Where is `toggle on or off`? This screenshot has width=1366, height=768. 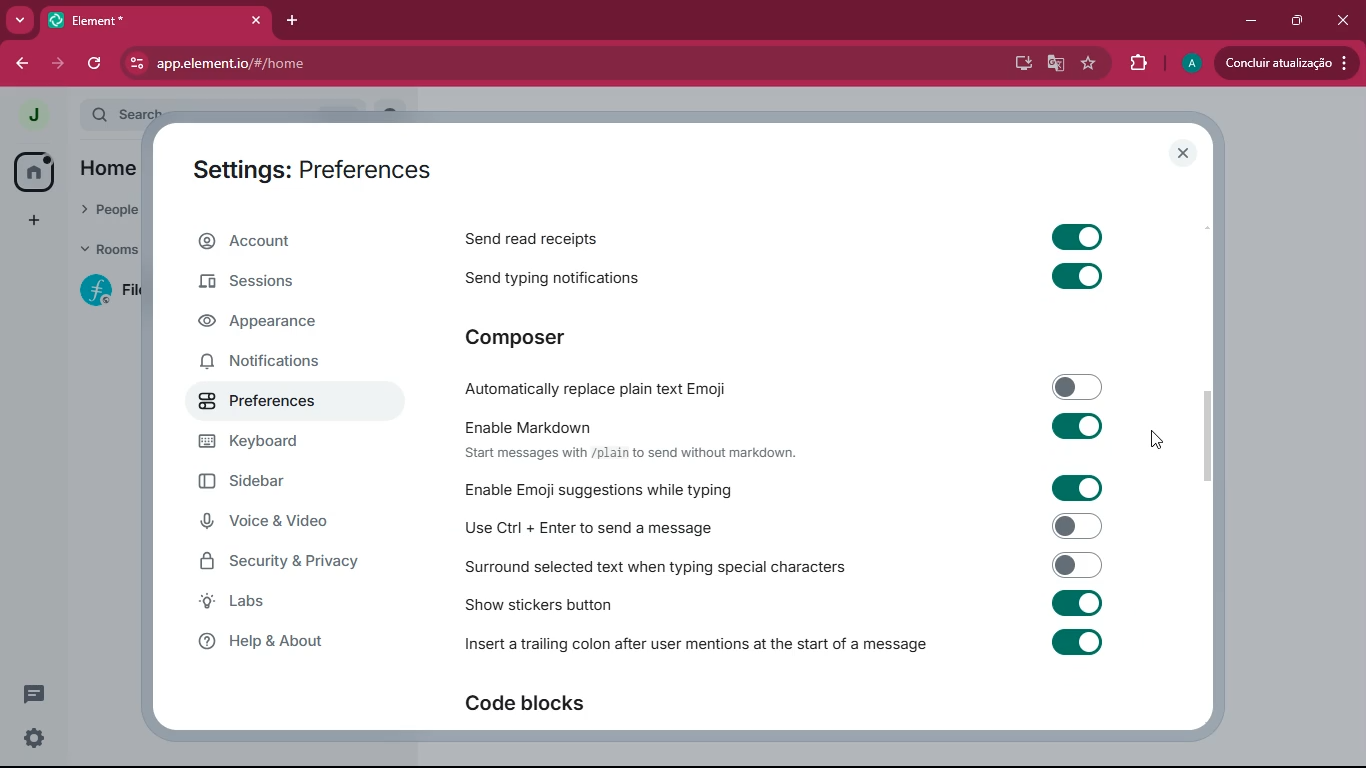
toggle on or off is located at coordinates (1076, 641).